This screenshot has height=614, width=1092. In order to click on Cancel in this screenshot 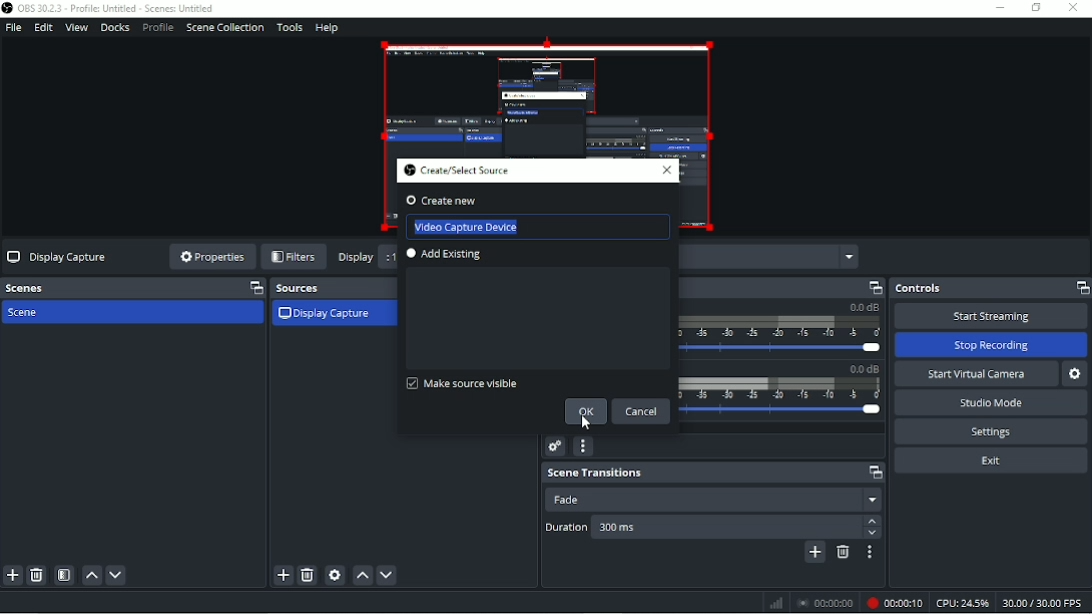, I will do `click(642, 412)`.